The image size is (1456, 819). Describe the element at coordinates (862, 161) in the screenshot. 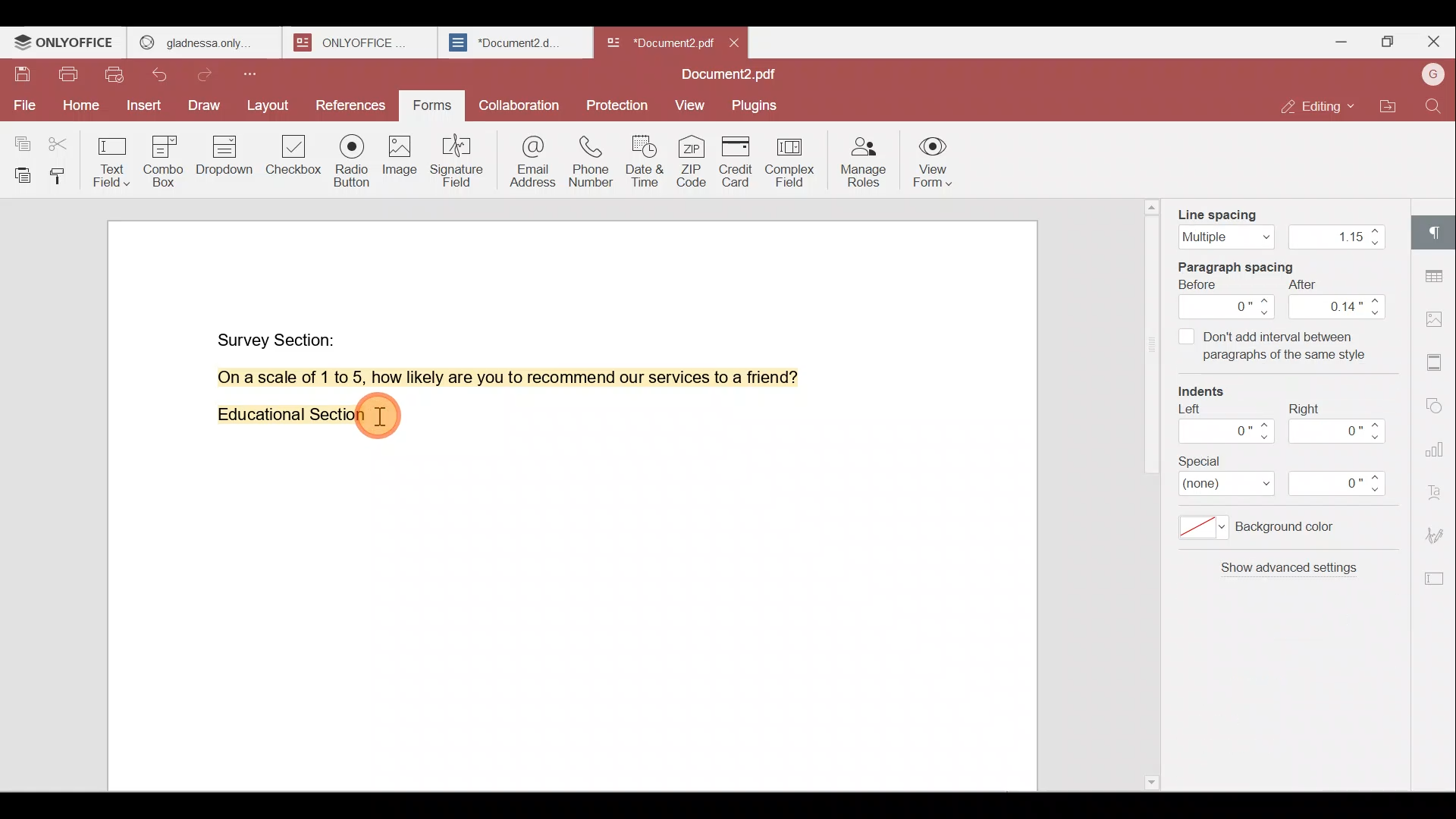

I see `Manage roles` at that location.